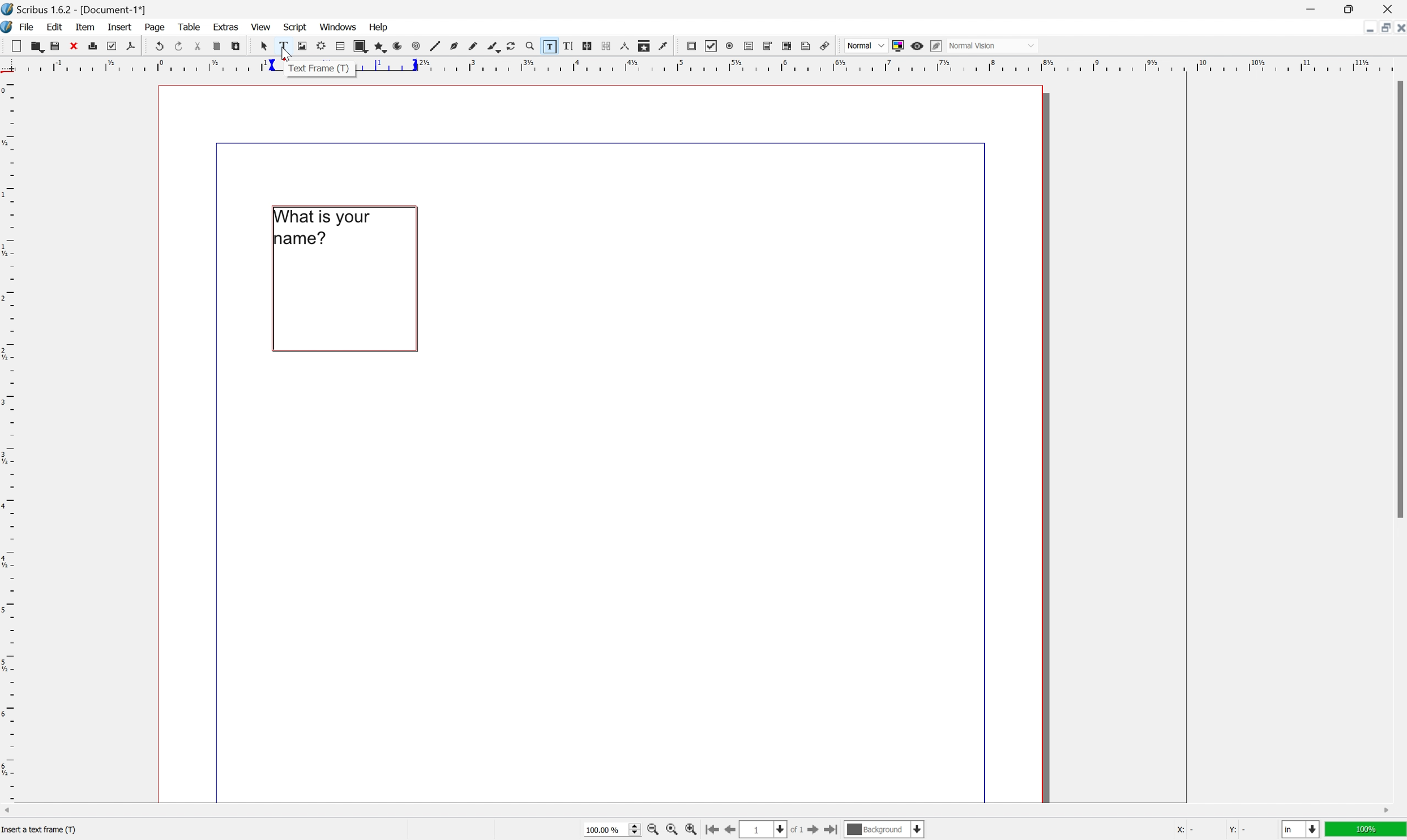 Image resolution: width=1407 pixels, height=840 pixels. What do you see at coordinates (713, 830) in the screenshot?
I see `go to first page` at bounding box center [713, 830].